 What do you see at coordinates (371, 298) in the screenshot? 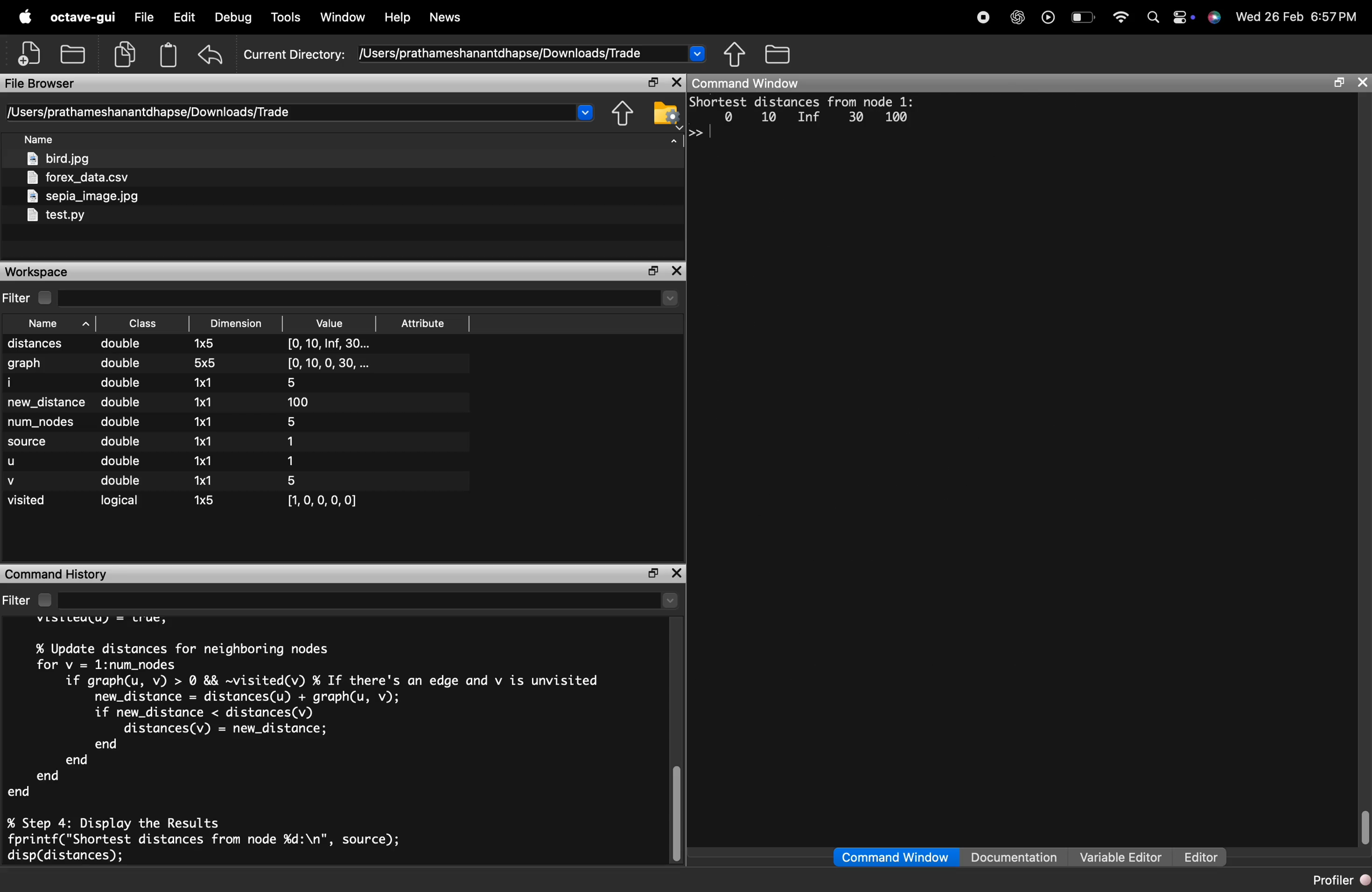
I see `select directory` at bounding box center [371, 298].